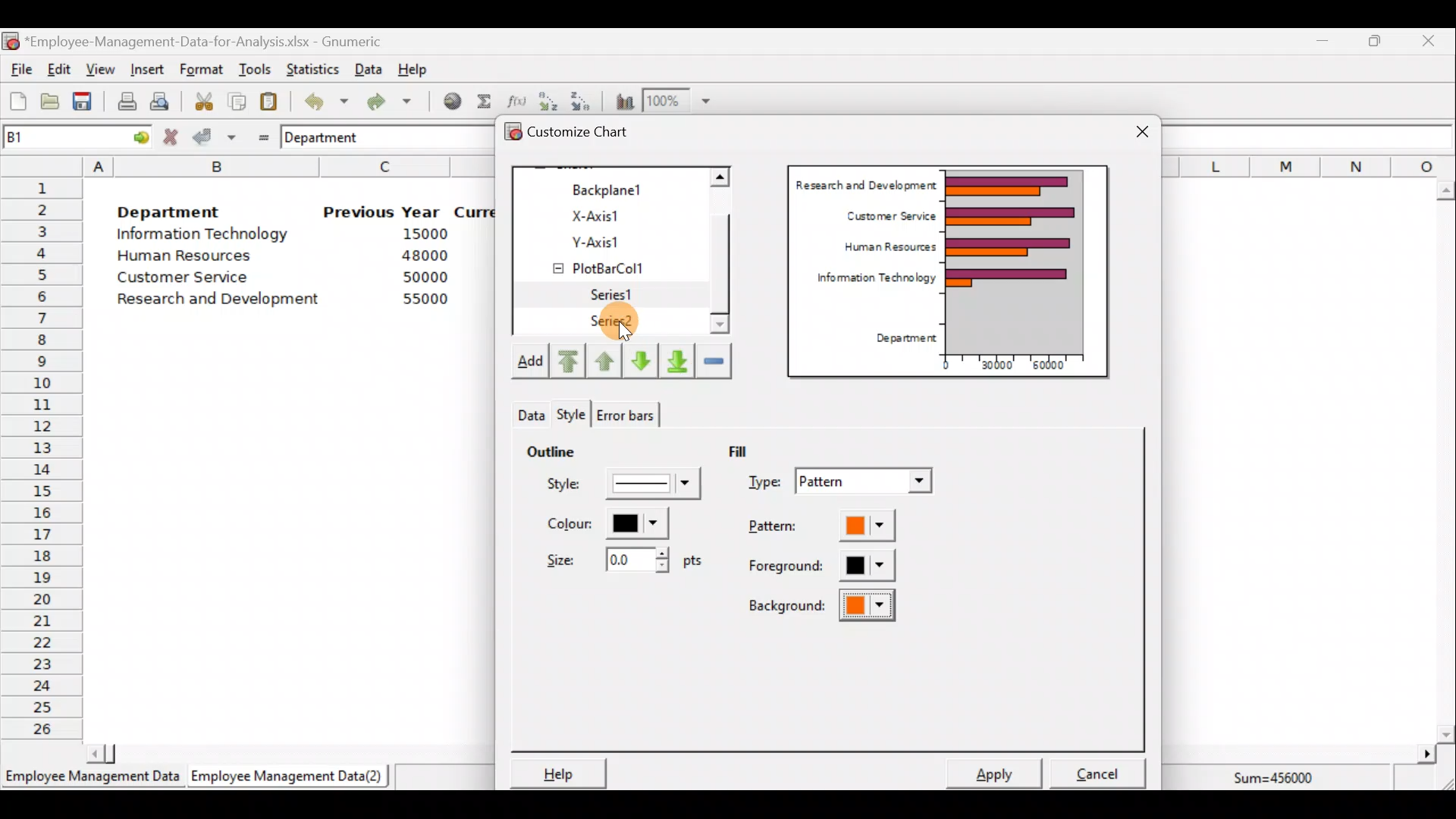  Describe the element at coordinates (516, 100) in the screenshot. I see `Edit a function in the current cell` at that location.